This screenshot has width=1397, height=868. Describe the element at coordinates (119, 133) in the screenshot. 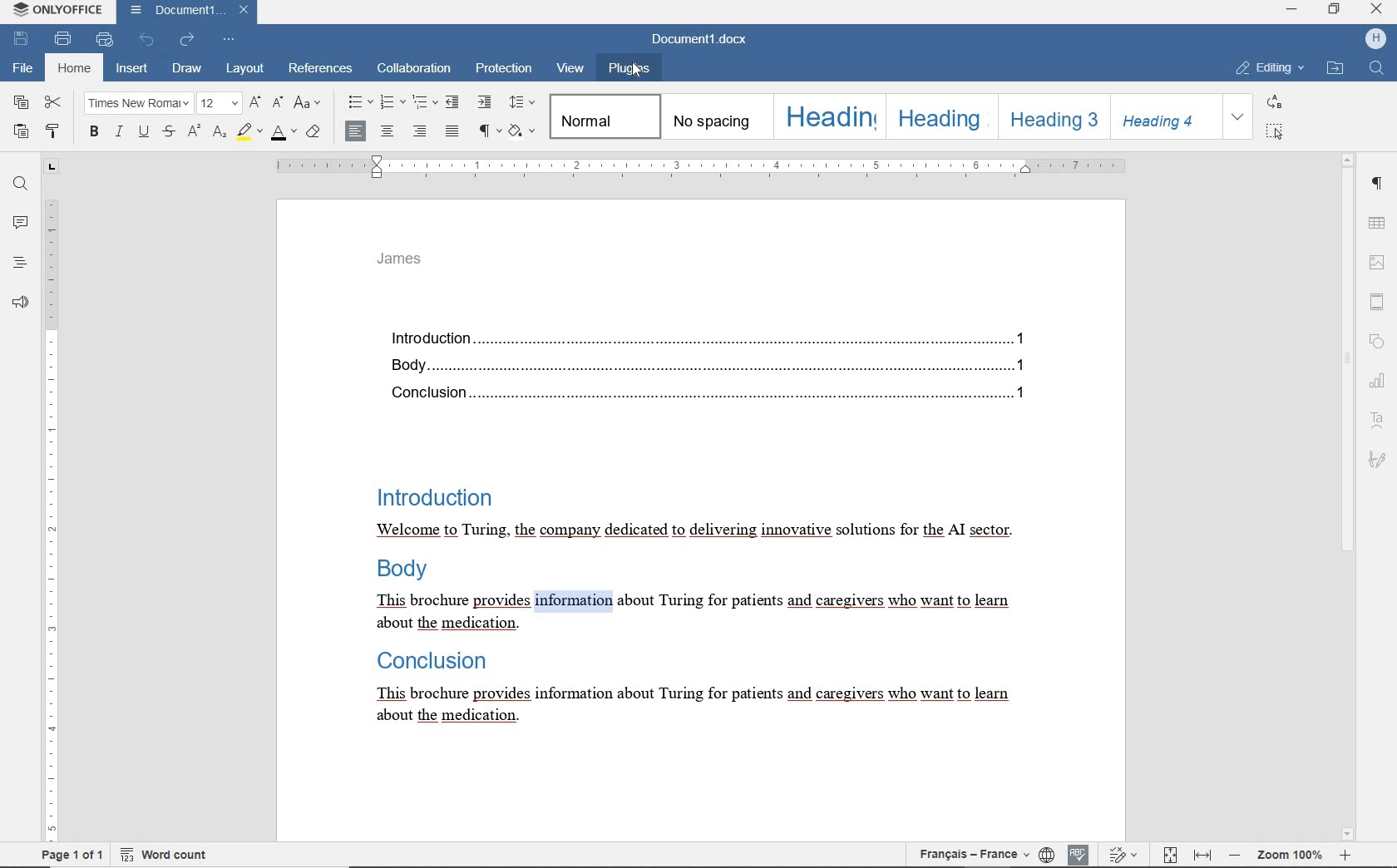

I see `ITALIC` at that location.